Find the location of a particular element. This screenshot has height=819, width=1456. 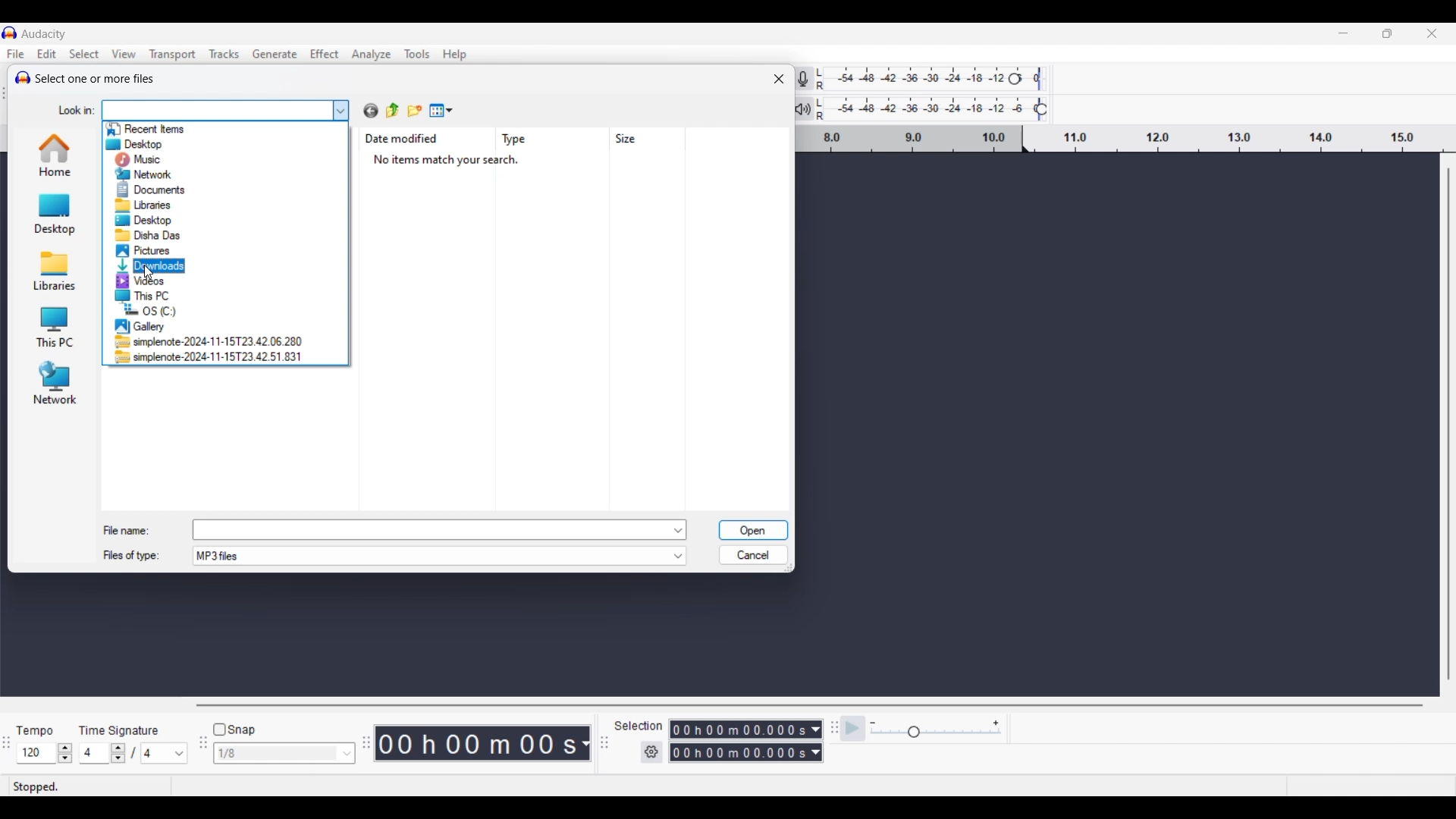

Click to save inputs is located at coordinates (753, 531).